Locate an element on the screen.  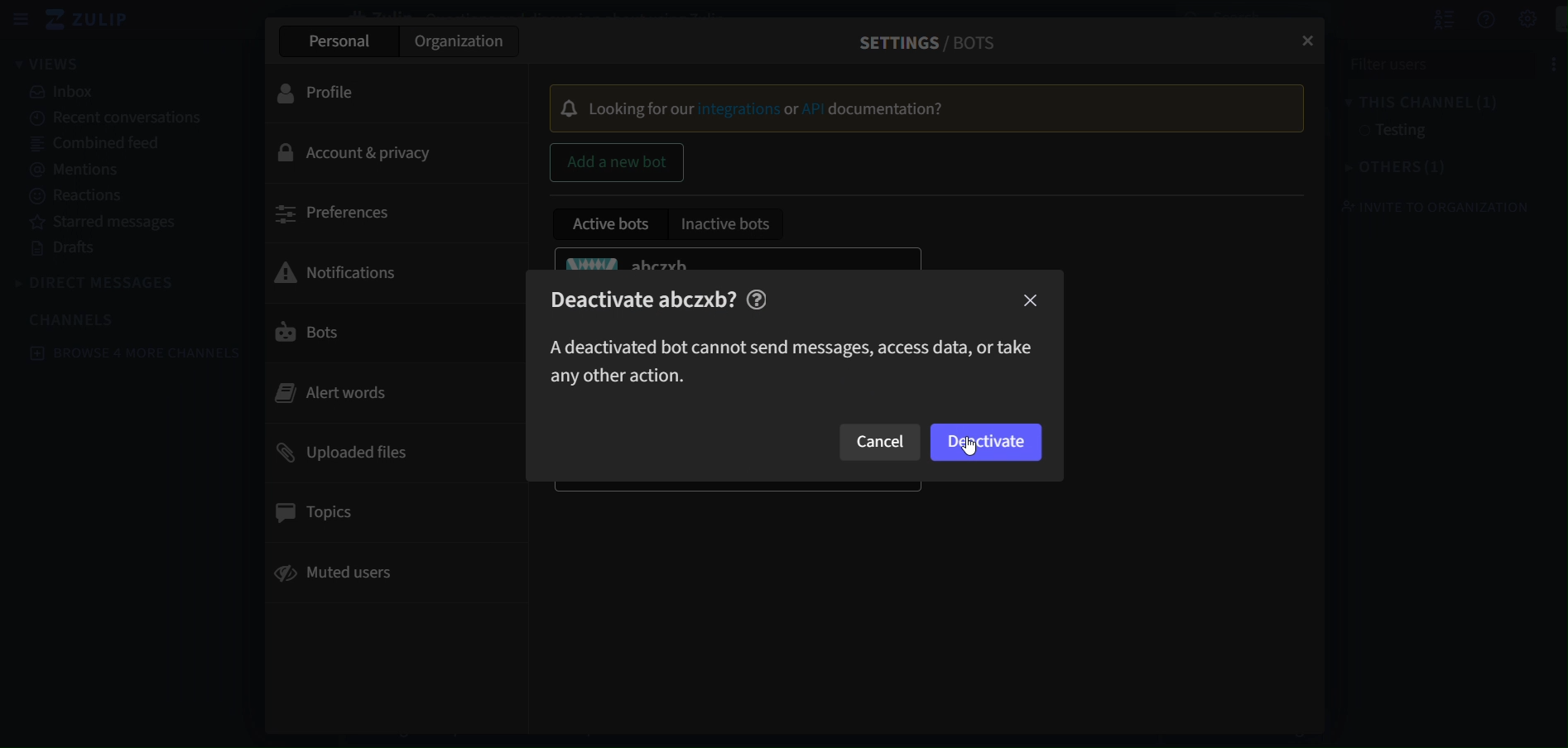
inbox is located at coordinates (65, 91).